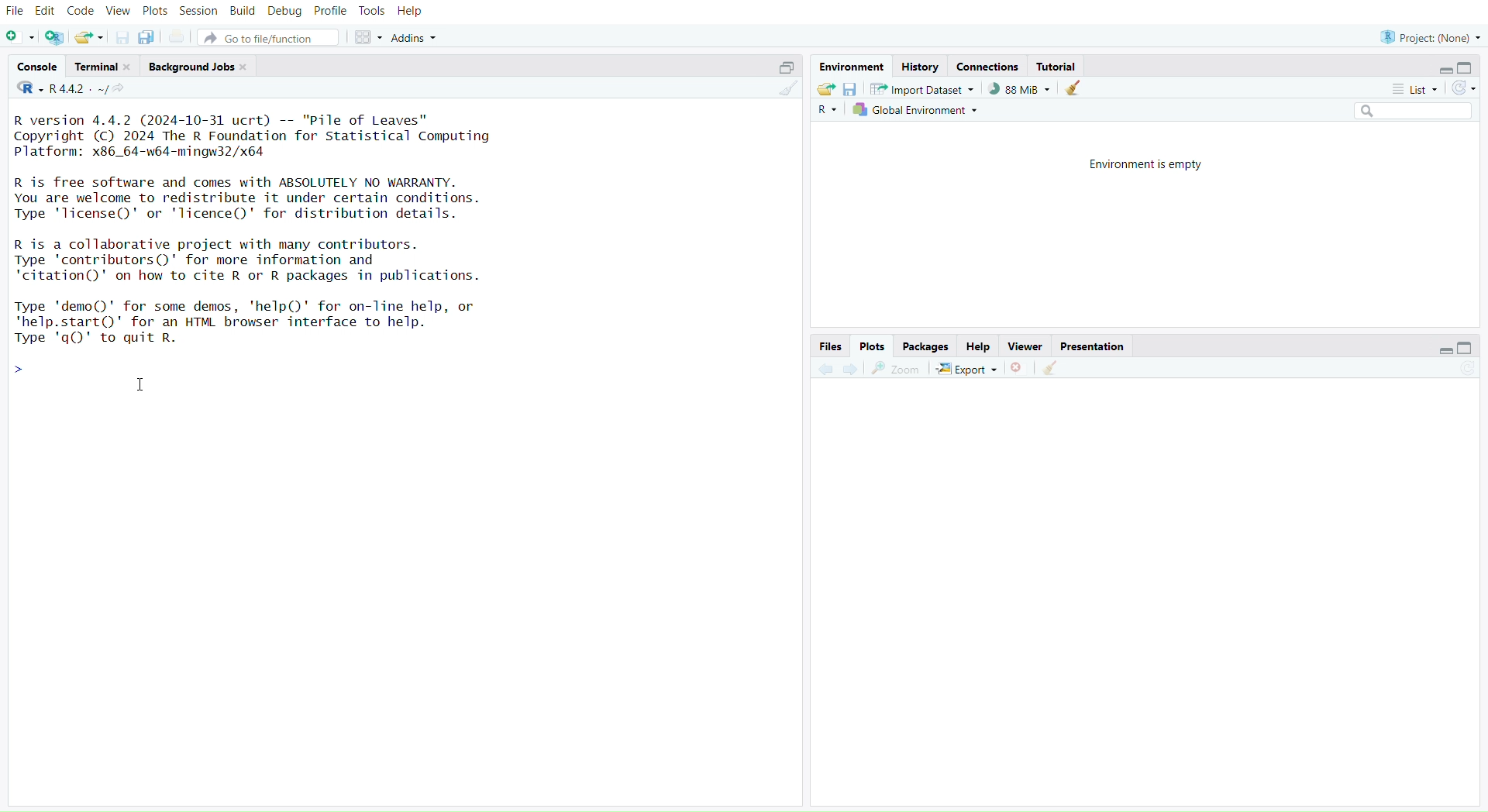 The width and height of the screenshot is (1488, 812). Describe the element at coordinates (1057, 66) in the screenshot. I see `tutorial` at that location.